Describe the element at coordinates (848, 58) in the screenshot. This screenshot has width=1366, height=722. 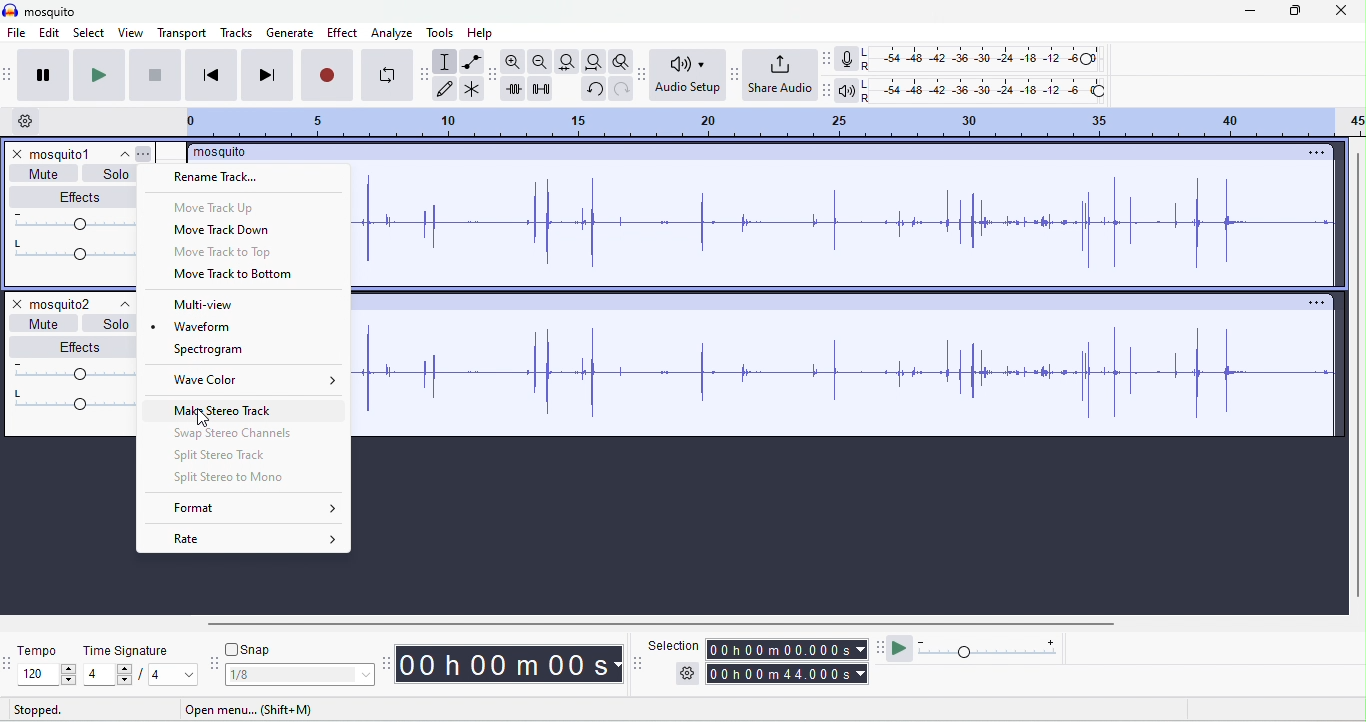
I see `record meter` at that location.